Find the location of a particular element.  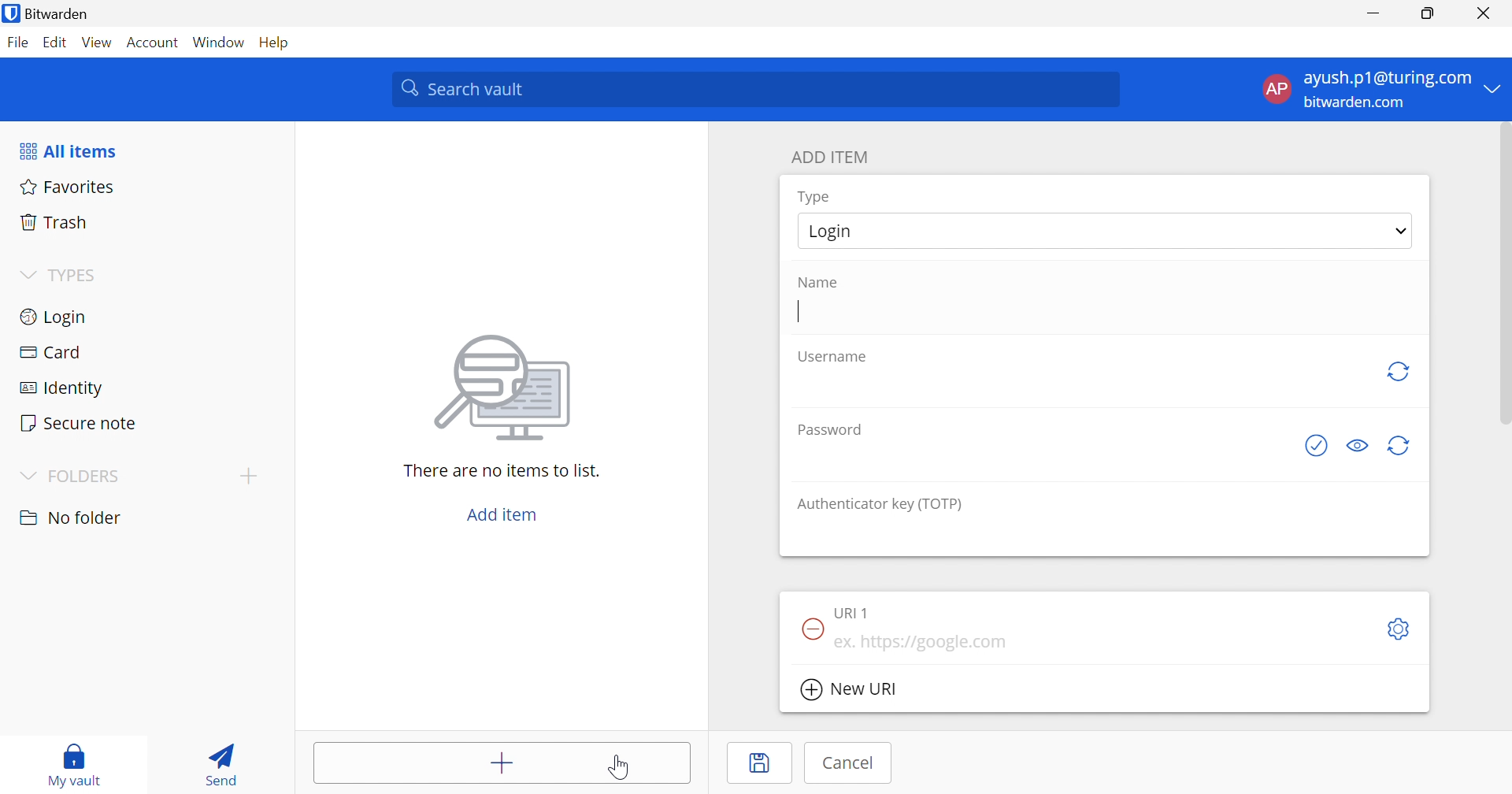

Remove is located at coordinates (811, 629).